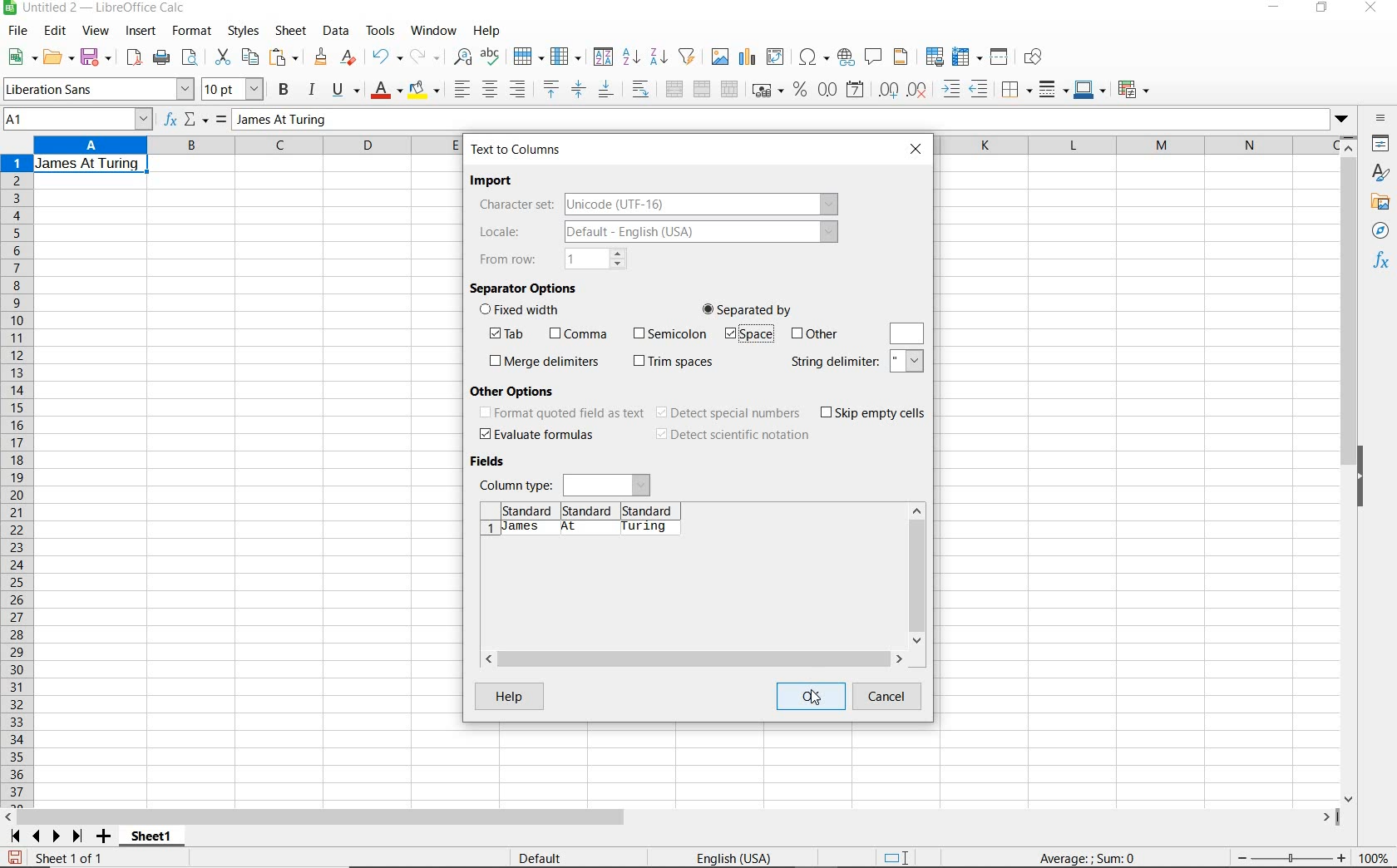  I want to click on trim spaces, so click(674, 362).